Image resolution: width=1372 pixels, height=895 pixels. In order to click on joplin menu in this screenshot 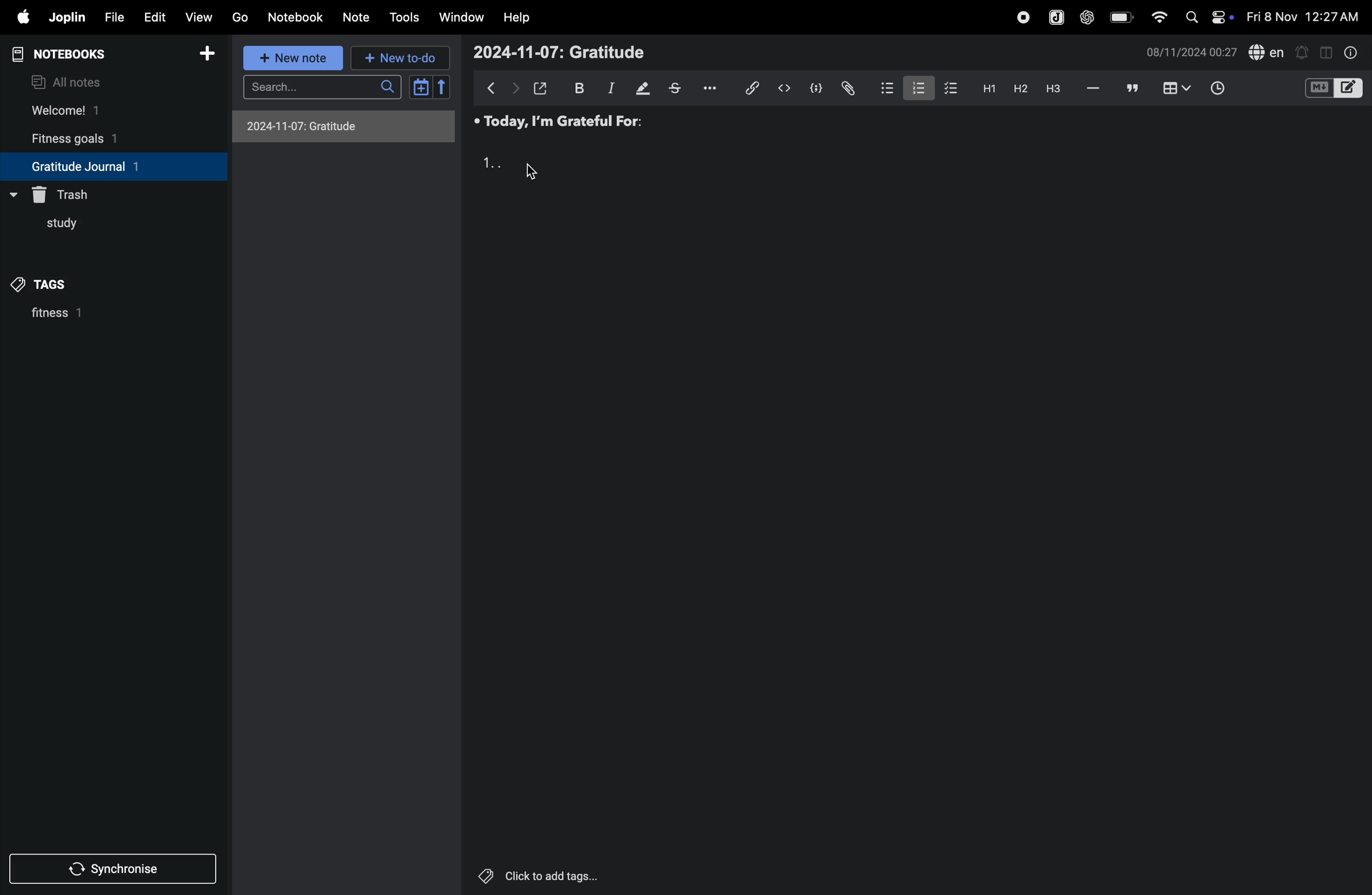, I will do `click(1056, 18)`.